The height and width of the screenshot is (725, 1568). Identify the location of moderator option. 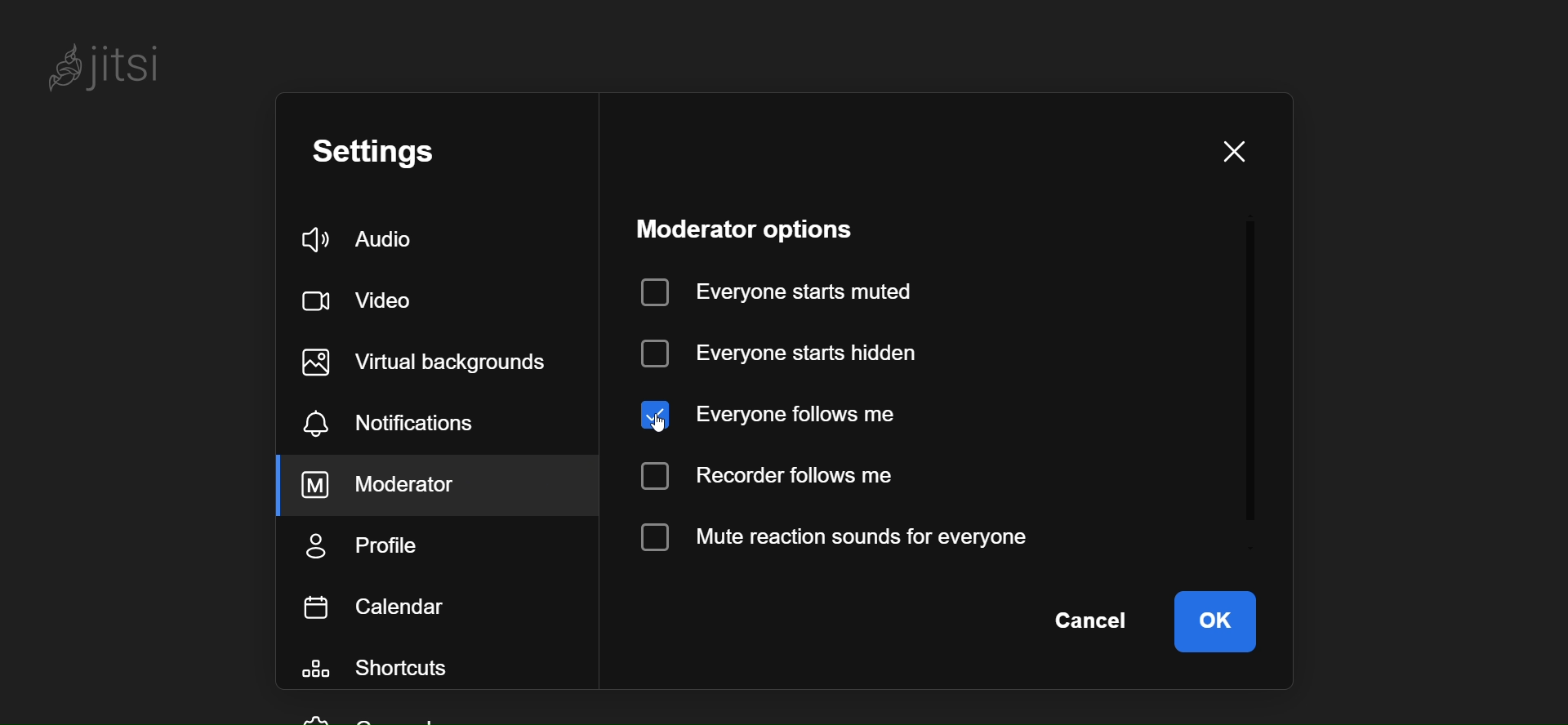
(757, 228).